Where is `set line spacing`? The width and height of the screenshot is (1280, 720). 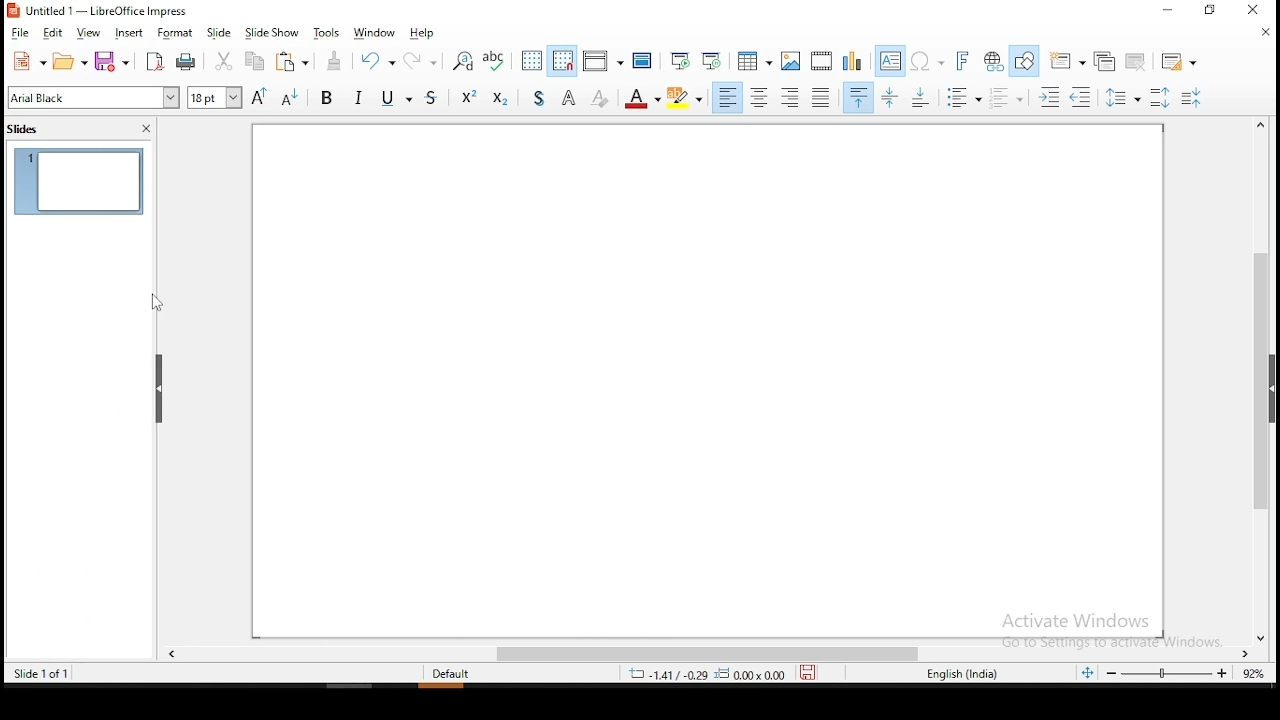 set line spacing is located at coordinates (1123, 95).